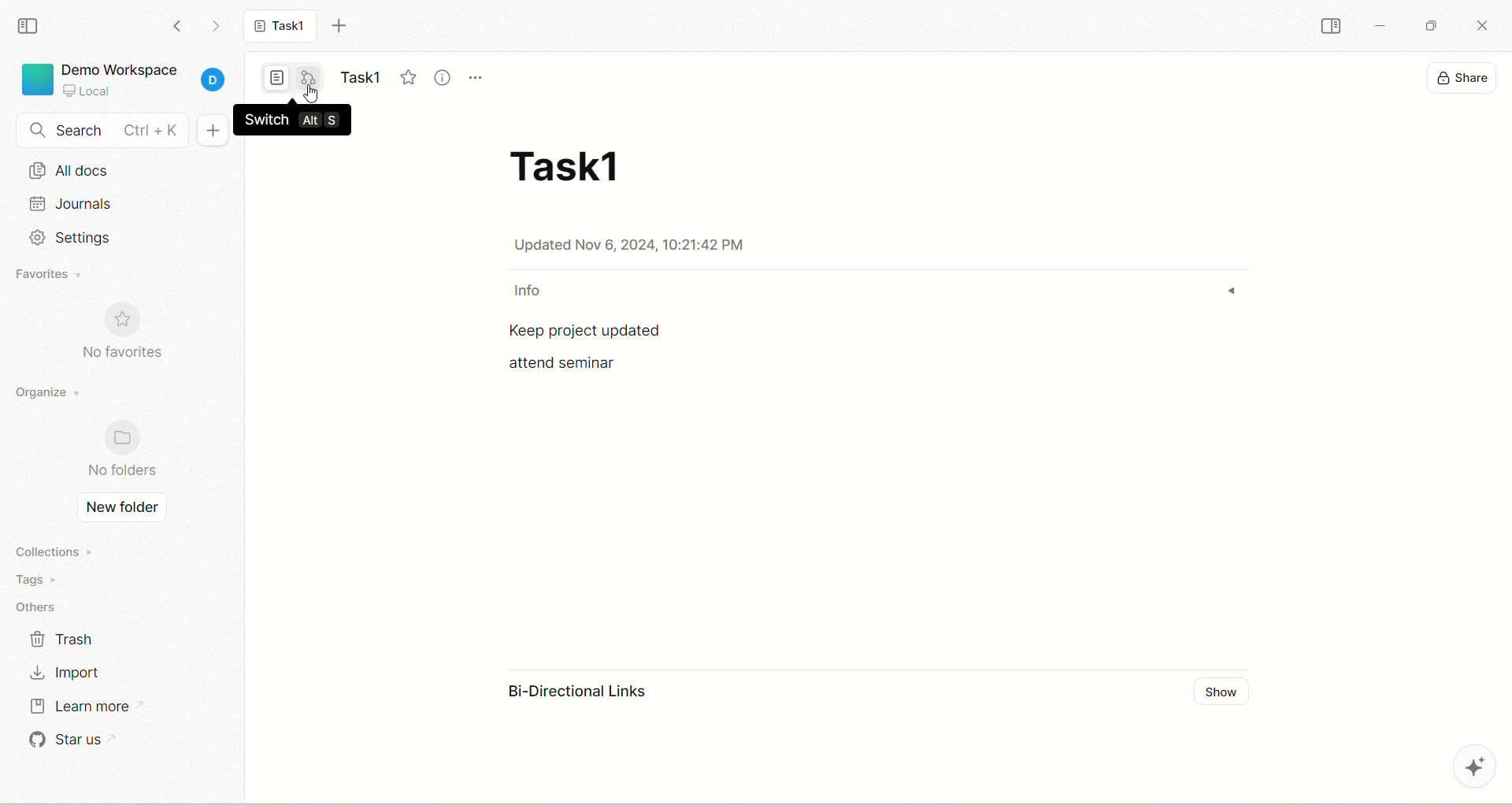 Image resolution: width=1512 pixels, height=805 pixels. I want to click on show, so click(1223, 692).